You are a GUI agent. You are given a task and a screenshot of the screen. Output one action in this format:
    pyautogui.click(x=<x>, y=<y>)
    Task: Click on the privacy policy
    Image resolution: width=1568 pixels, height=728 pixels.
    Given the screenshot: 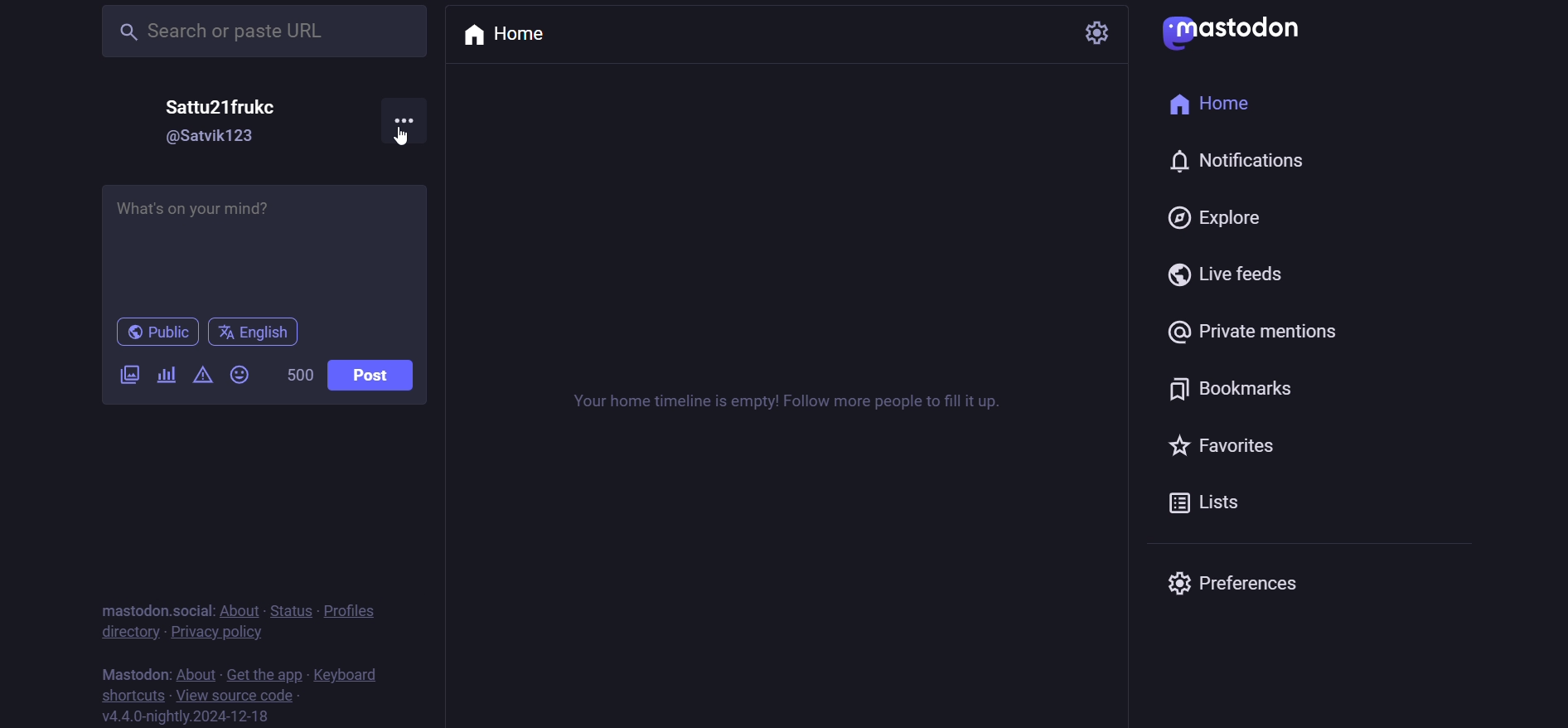 What is the action you would take?
    pyautogui.click(x=222, y=633)
    